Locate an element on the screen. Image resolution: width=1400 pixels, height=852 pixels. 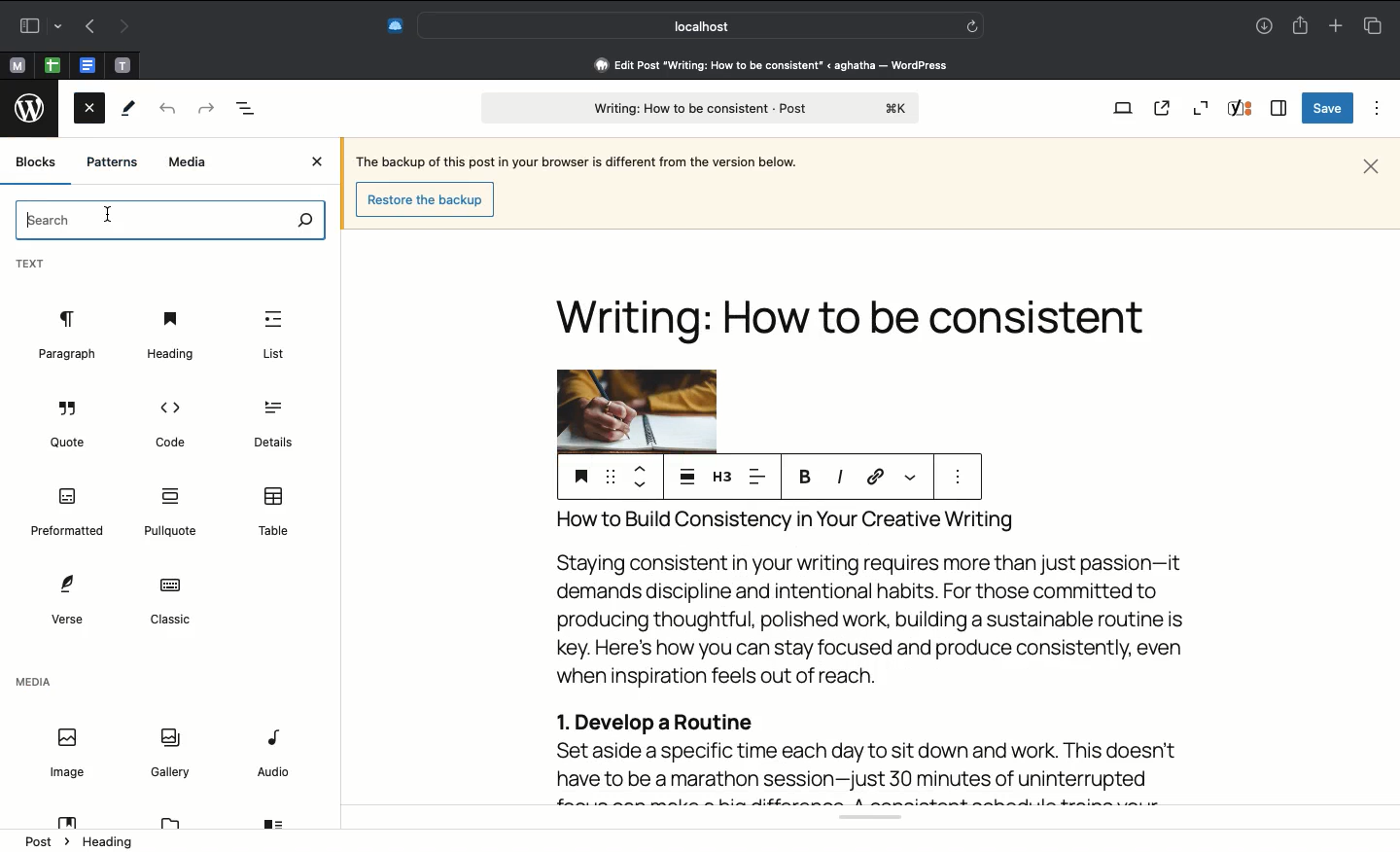
Document overview is located at coordinates (247, 109).